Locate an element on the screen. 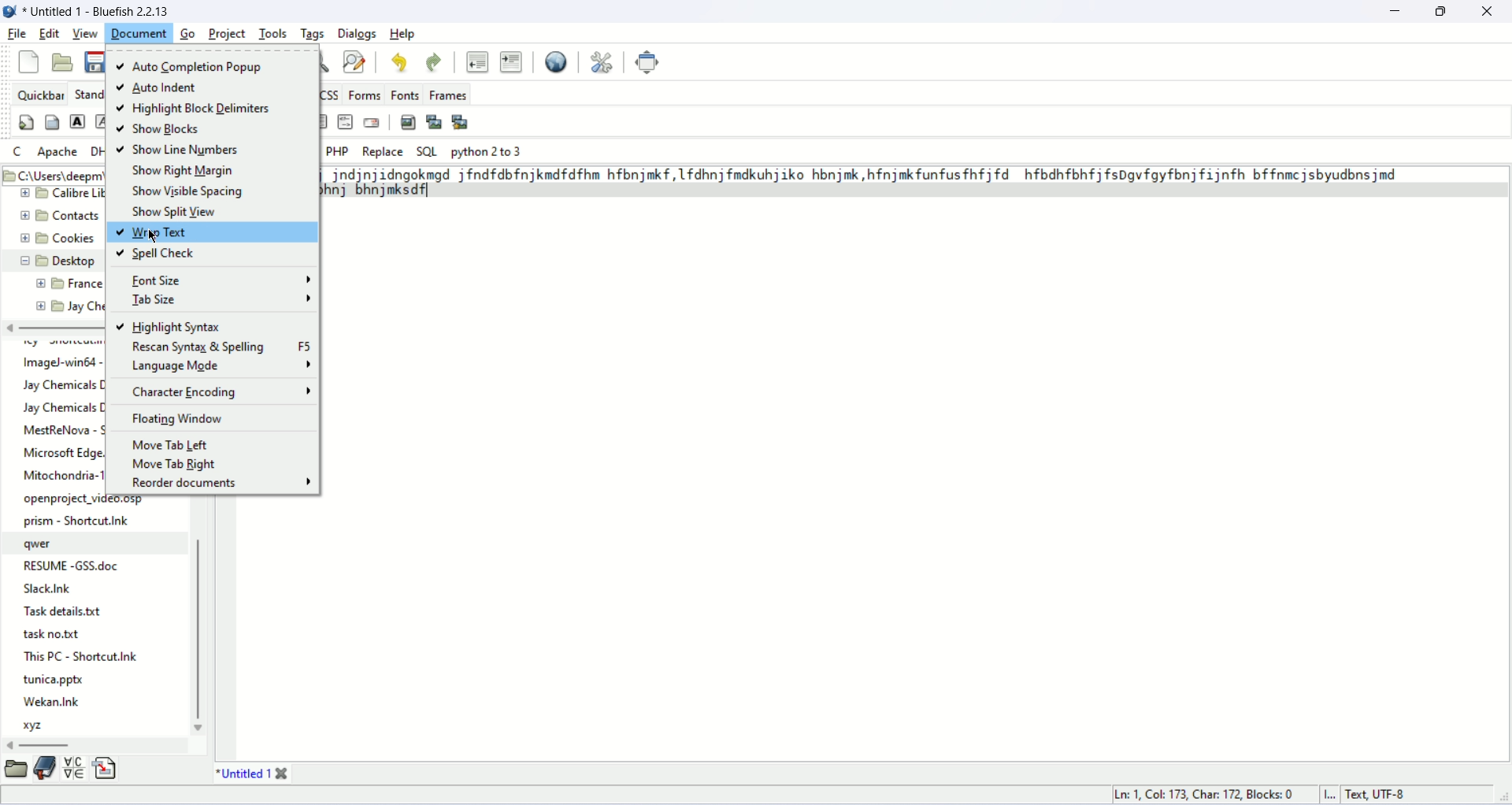  bookmark is located at coordinates (44, 768).